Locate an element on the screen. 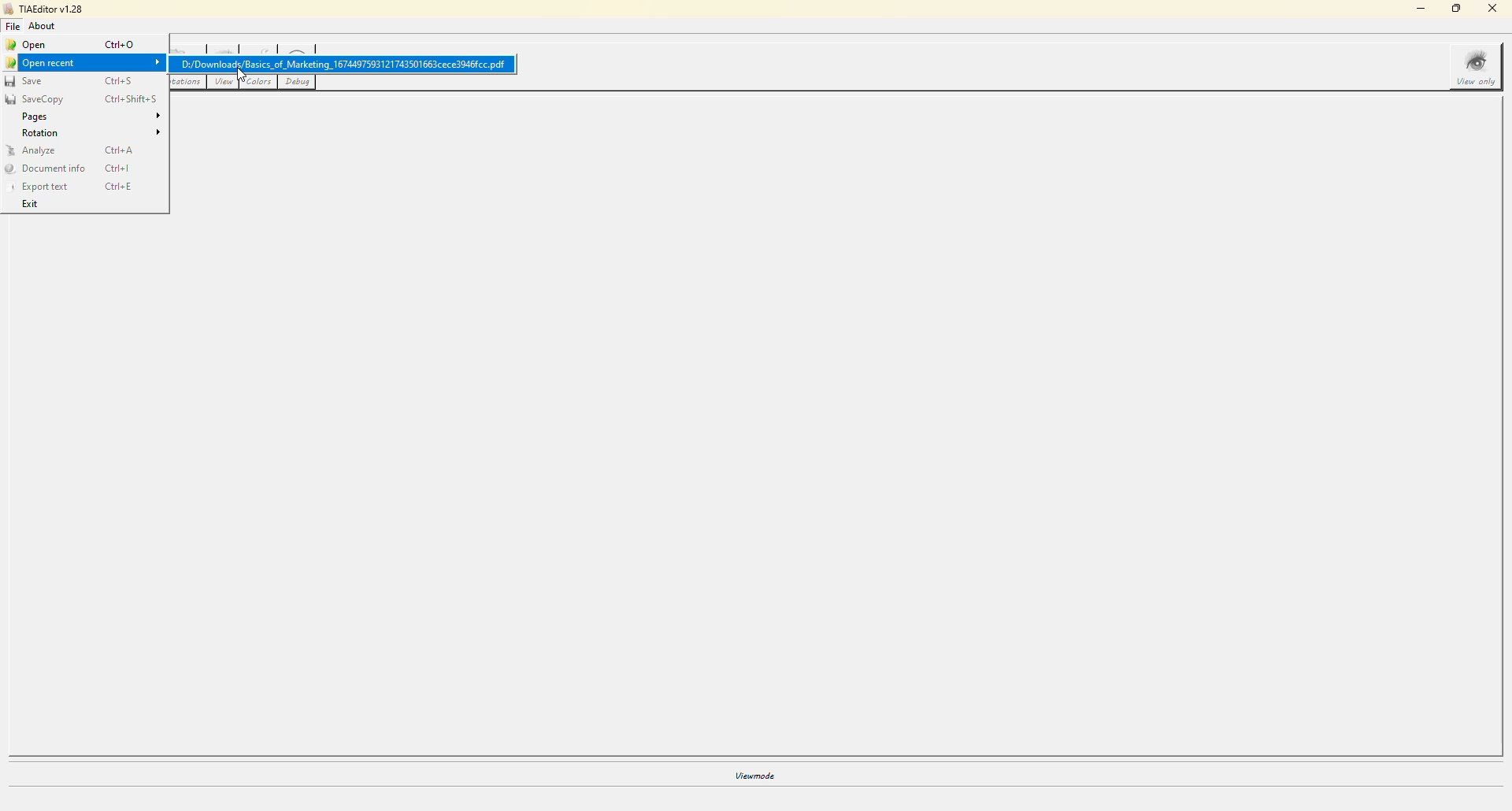 The width and height of the screenshot is (1512, 811). minimize is located at coordinates (1418, 9).